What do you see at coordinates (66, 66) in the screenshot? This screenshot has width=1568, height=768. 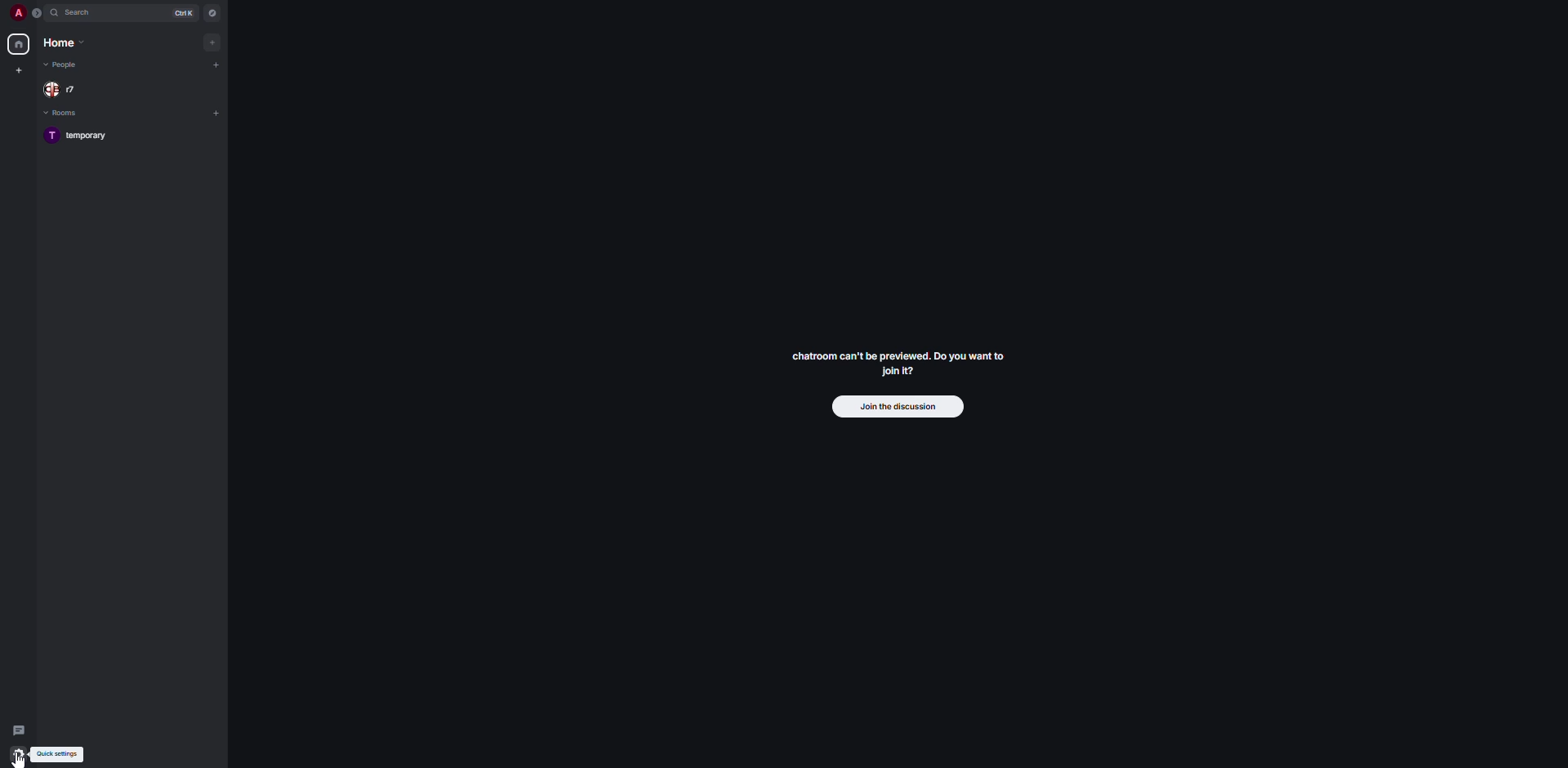 I see `people` at bounding box center [66, 66].